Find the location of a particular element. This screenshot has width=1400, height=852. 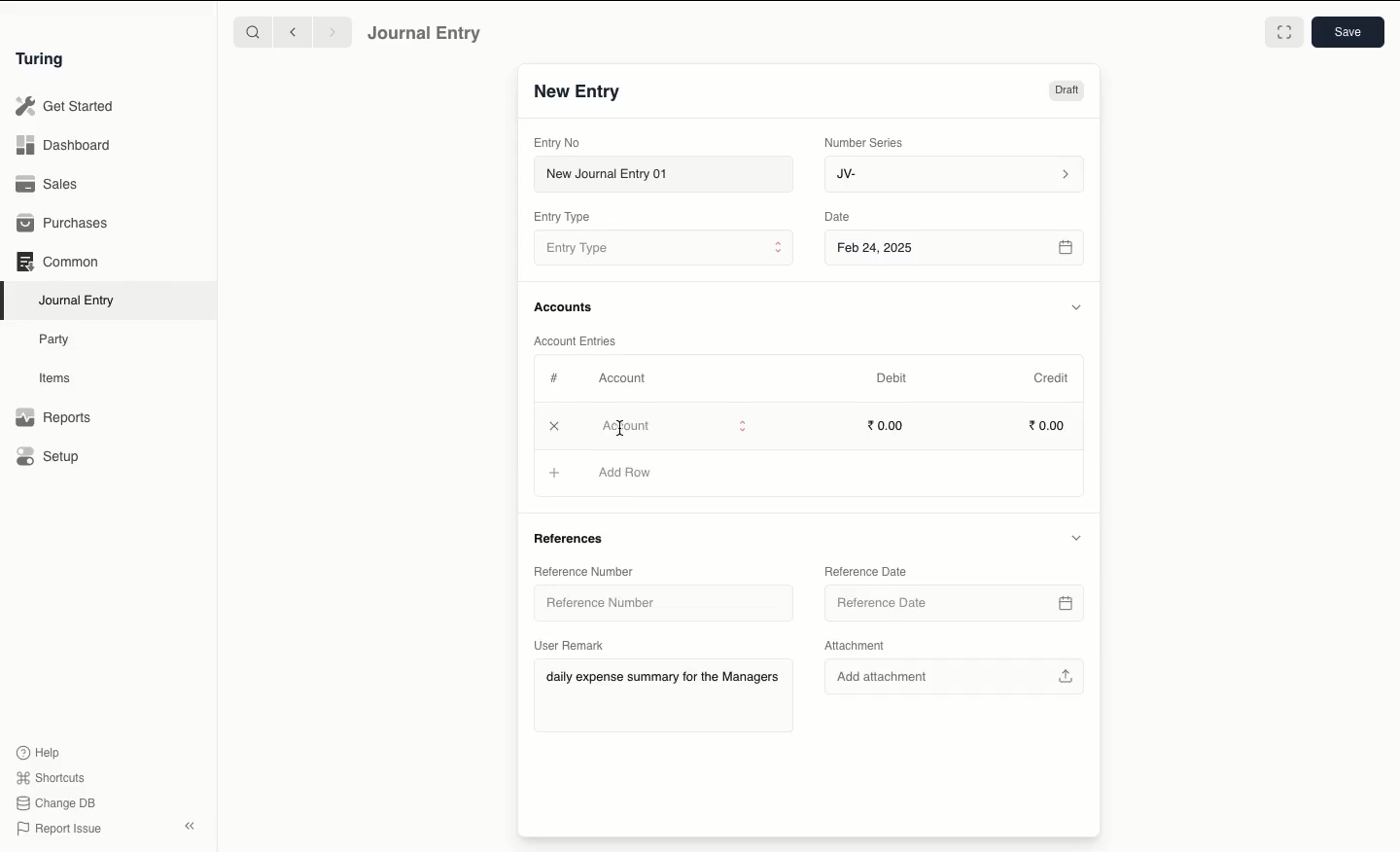

Dashboard is located at coordinates (63, 146).